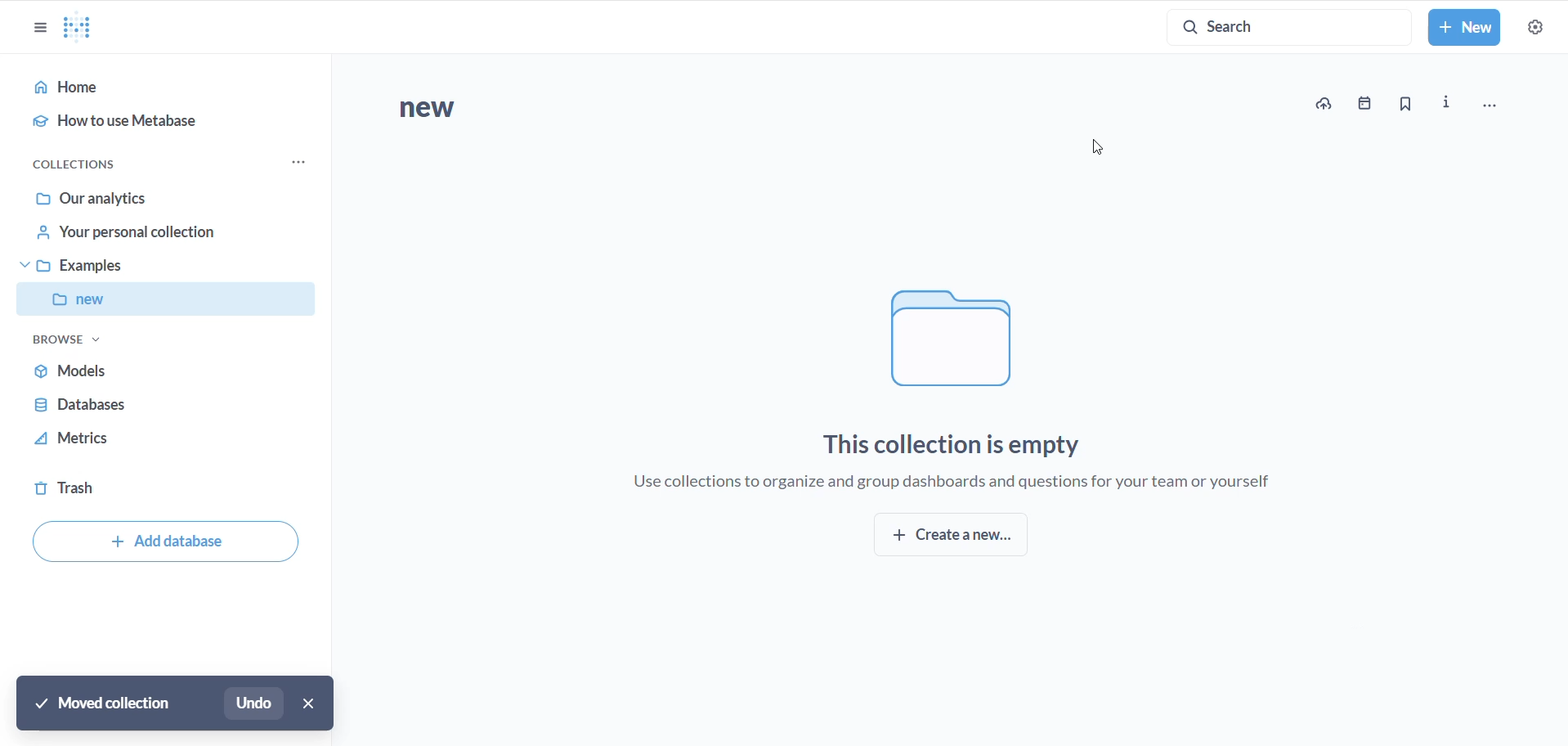 Image resolution: width=1568 pixels, height=746 pixels. Describe the element at coordinates (34, 28) in the screenshot. I see `close sidebar` at that location.